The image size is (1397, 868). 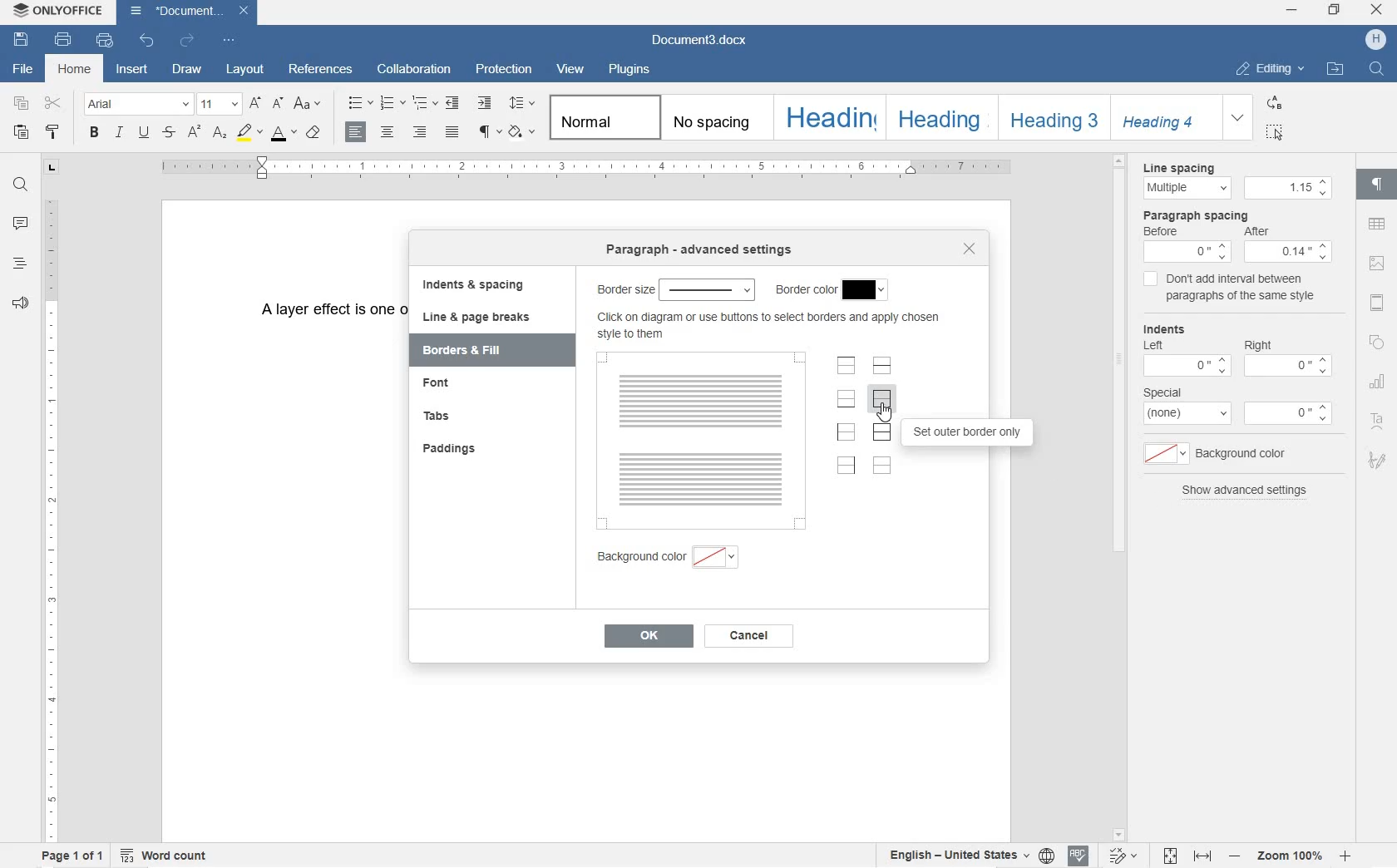 I want to click on FILE, so click(x=21, y=69).